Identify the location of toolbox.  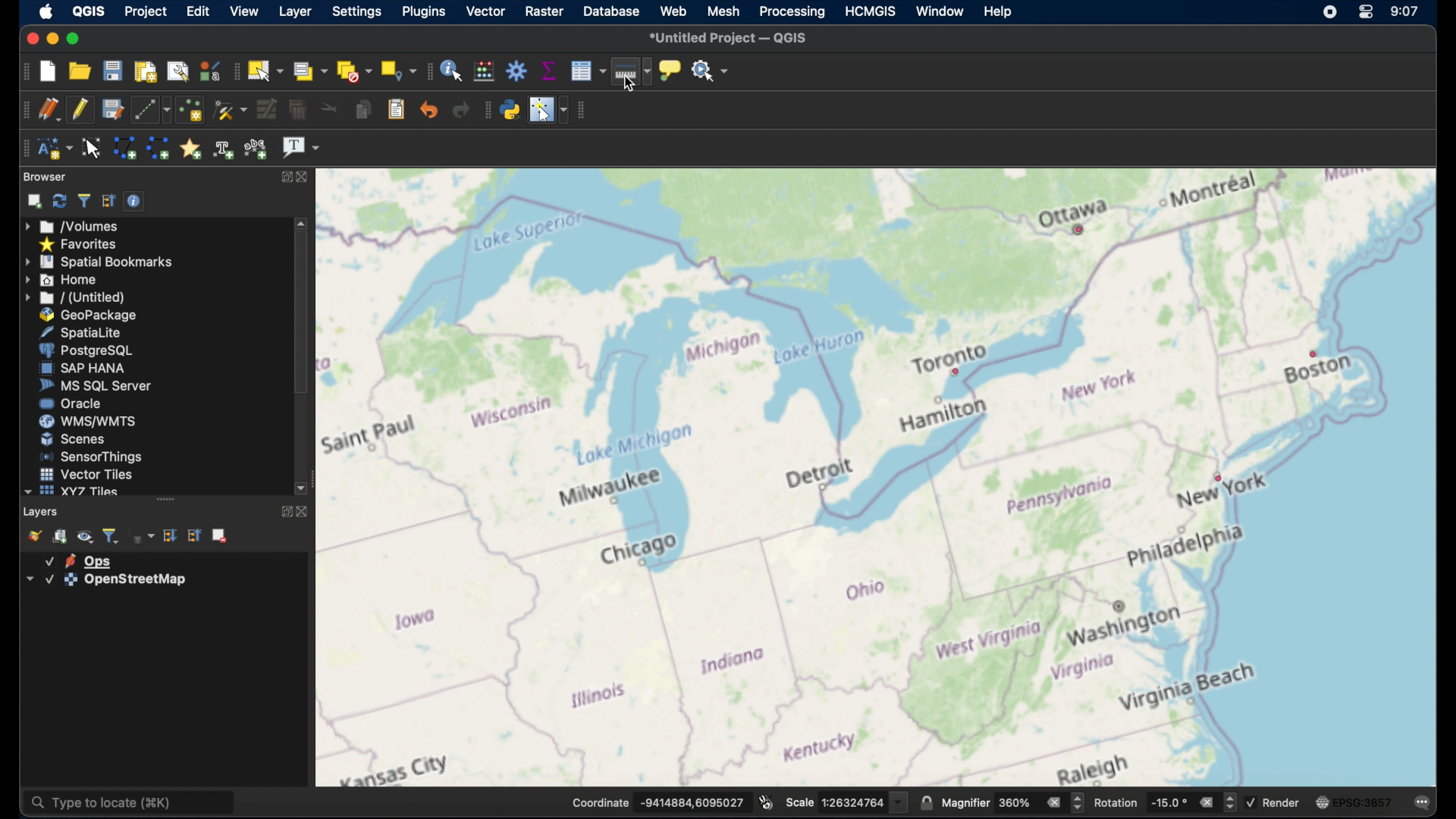
(518, 70).